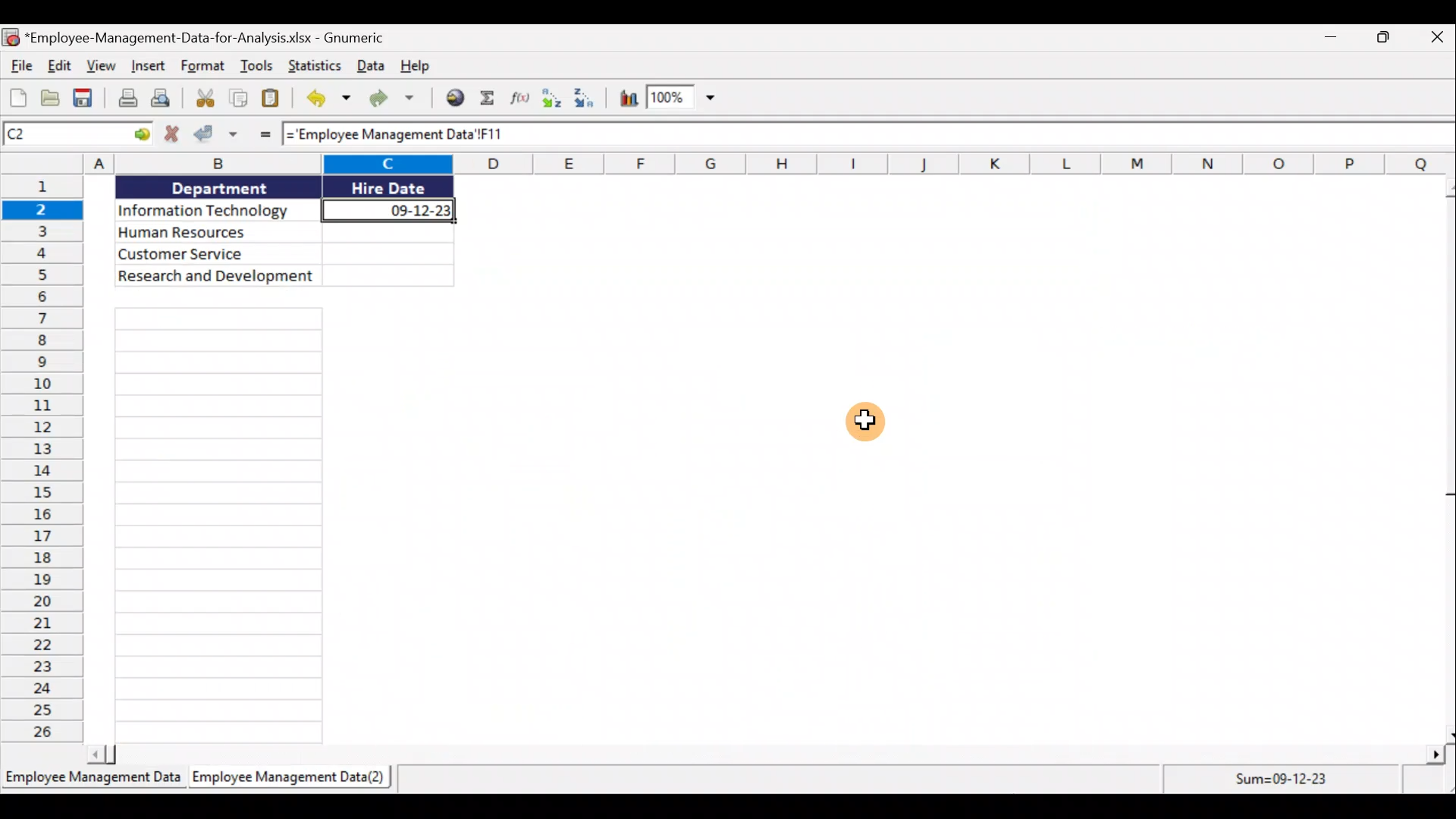  What do you see at coordinates (124, 99) in the screenshot?
I see `Print the current file` at bounding box center [124, 99].